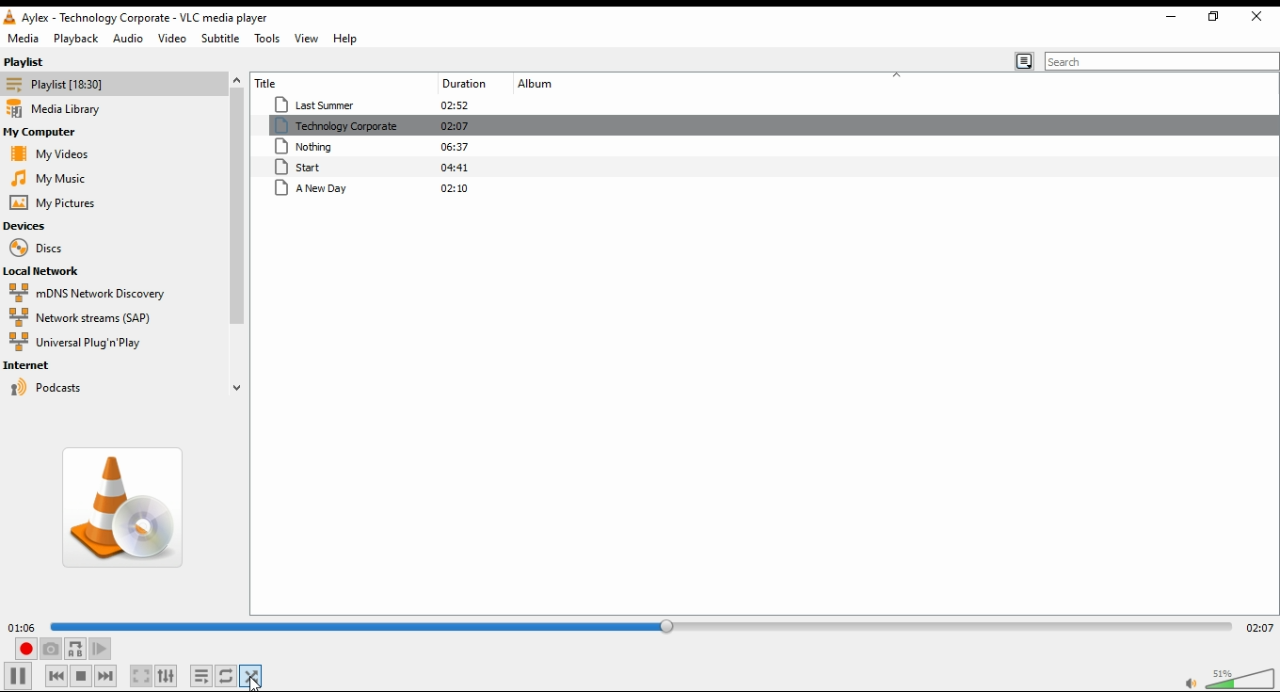  Describe the element at coordinates (348, 38) in the screenshot. I see `help` at that location.